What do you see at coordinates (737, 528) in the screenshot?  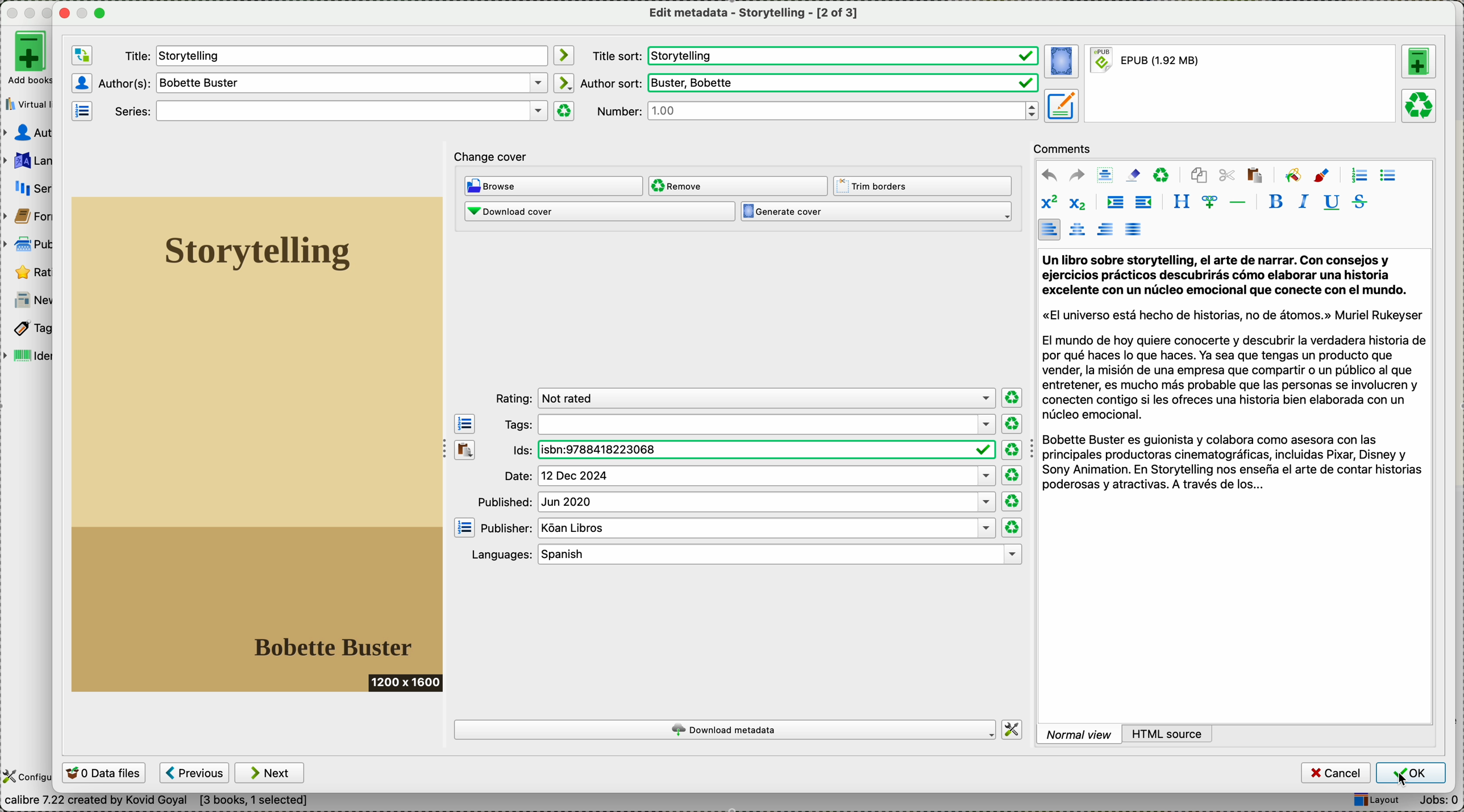 I see `publisher` at bounding box center [737, 528].